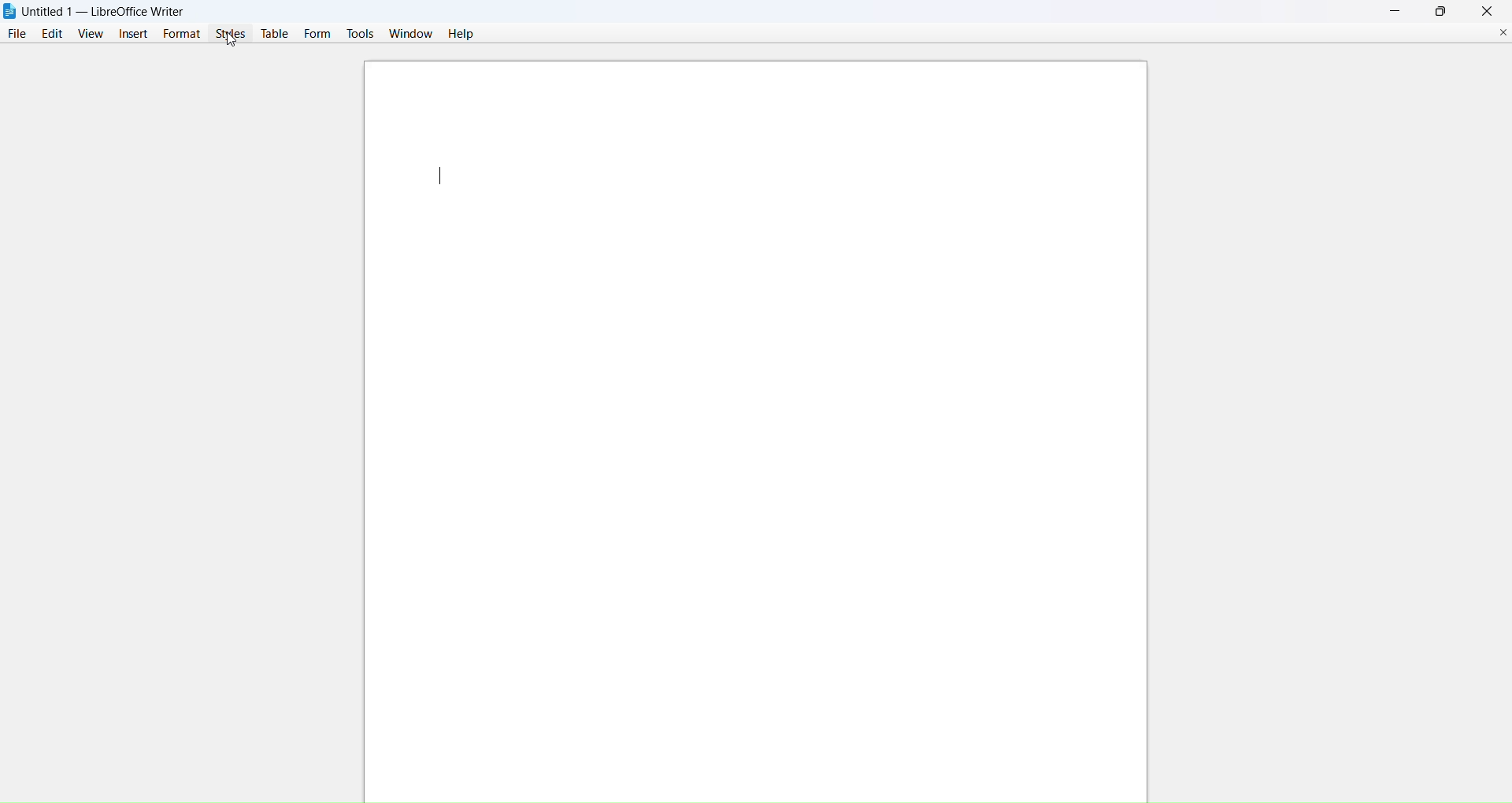 Image resolution: width=1512 pixels, height=803 pixels. What do you see at coordinates (1399, 11) in the screenshot?
I see `minimize` at bounding box center [1399, 11].